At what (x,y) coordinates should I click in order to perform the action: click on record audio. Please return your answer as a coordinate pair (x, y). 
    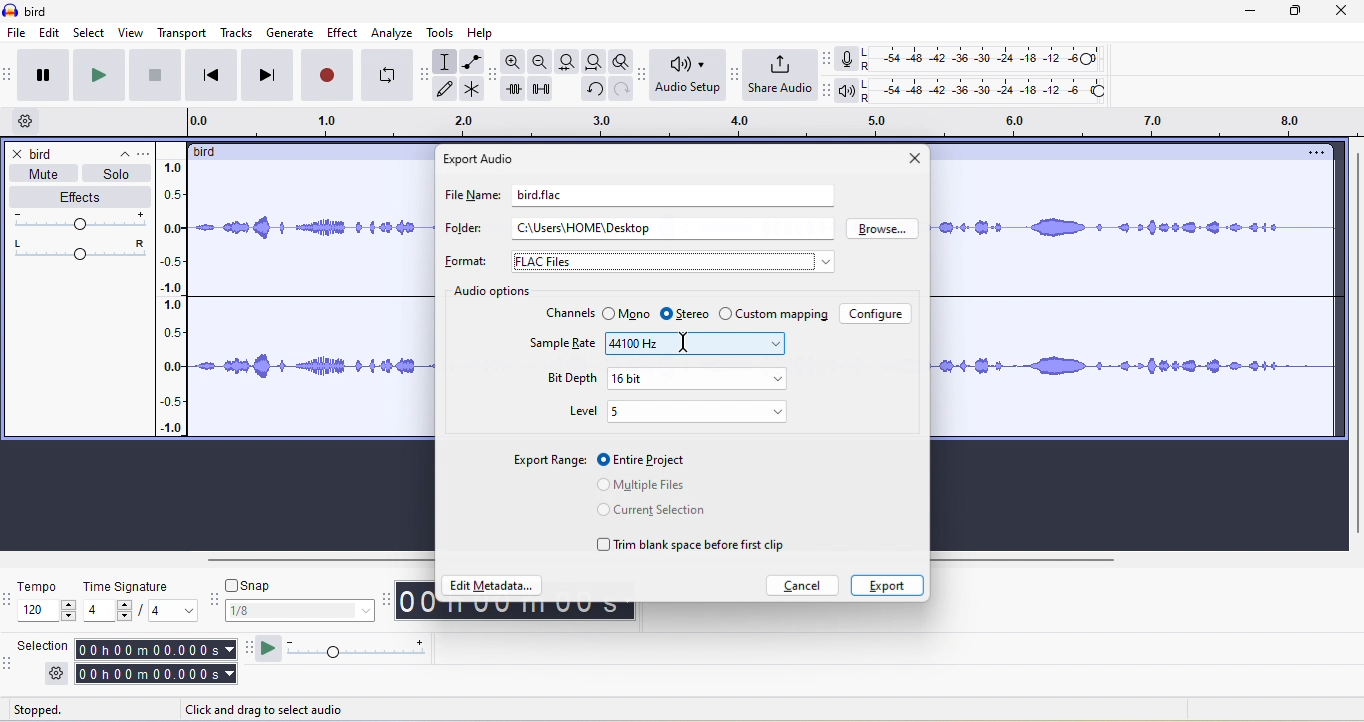
    Looking at the image, I should click on (314, 303).